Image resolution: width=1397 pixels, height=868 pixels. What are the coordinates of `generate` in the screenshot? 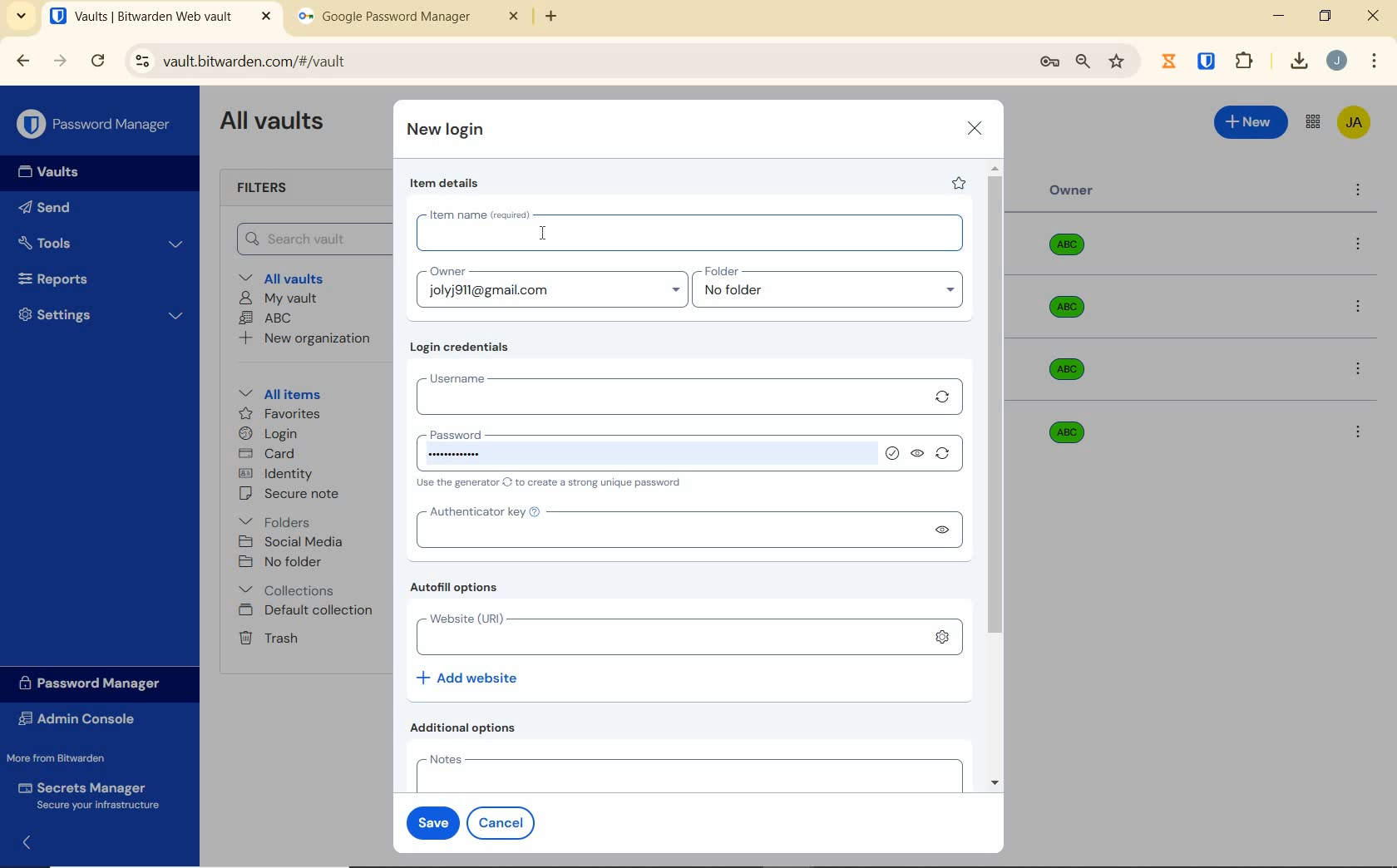 It's located at (943, 397).